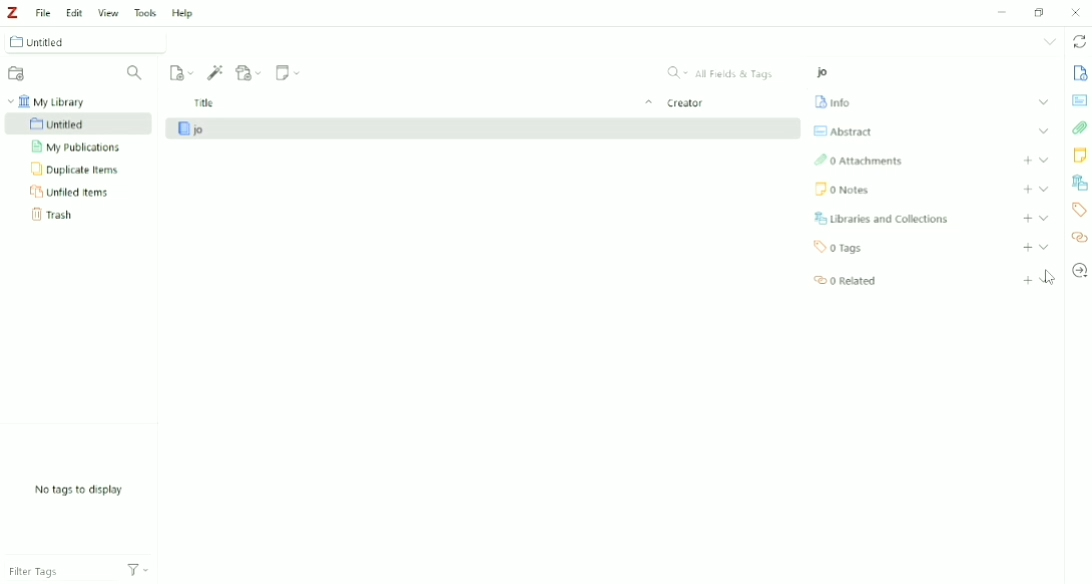 The height and width of the screenshot is (584, 1092). What do you see at coordinates (248, 73) in the screenshot?
I see `Add Attachment` at bounding box center [248, 73].